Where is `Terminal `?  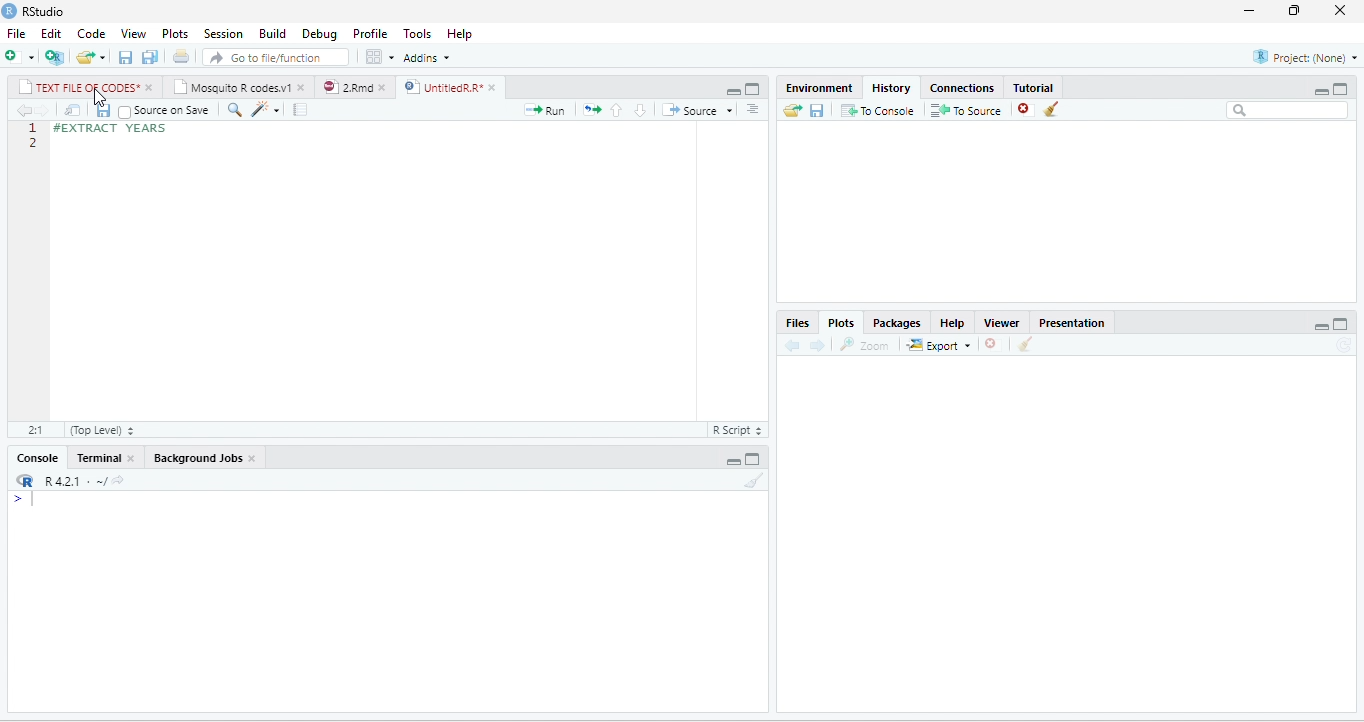
Terminal  is located at coordinates (97, 458).